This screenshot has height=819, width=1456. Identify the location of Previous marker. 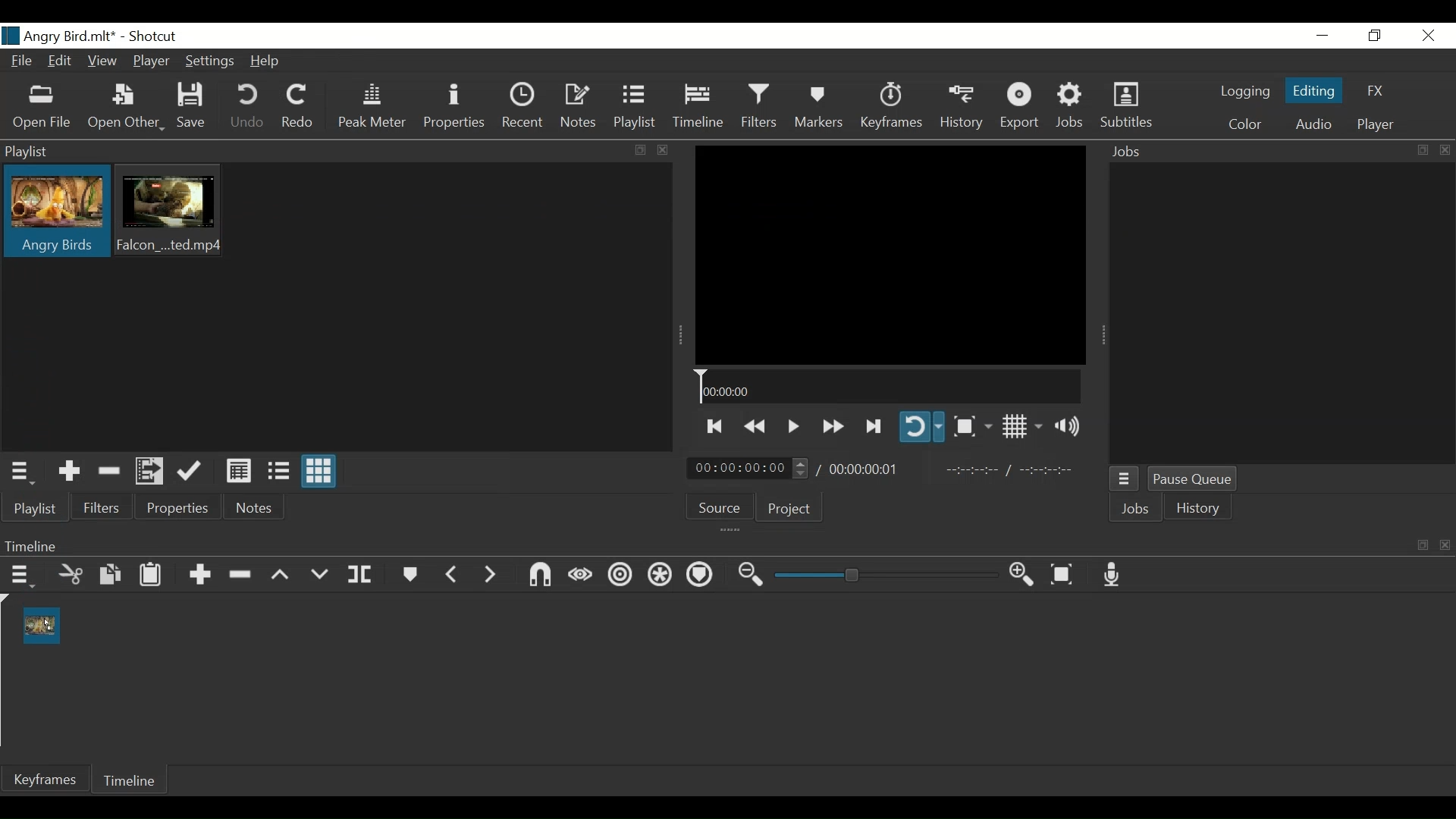
(453, 574).